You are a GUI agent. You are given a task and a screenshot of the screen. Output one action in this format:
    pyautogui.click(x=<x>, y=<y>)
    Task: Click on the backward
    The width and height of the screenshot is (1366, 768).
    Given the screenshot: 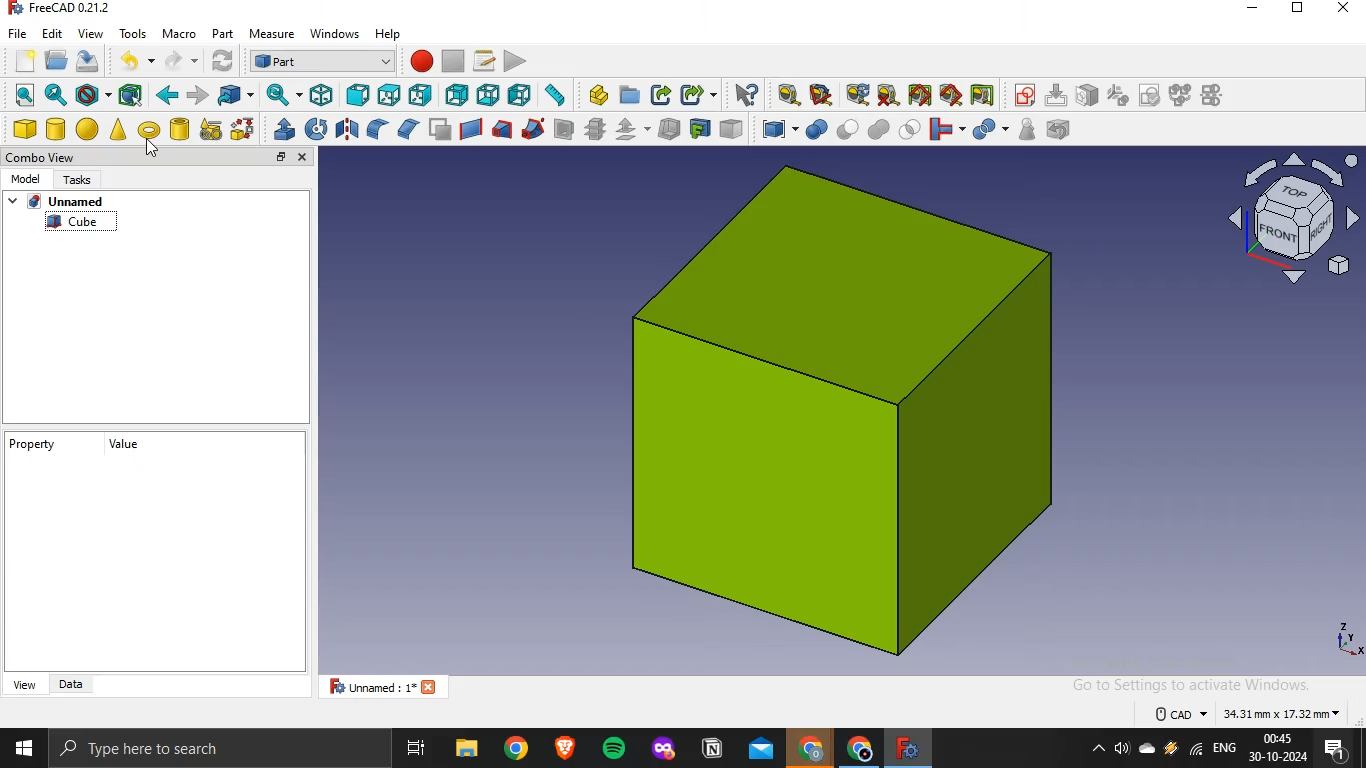 What is the action you would take?
    pyautogui.click(x=167, y=96)
    